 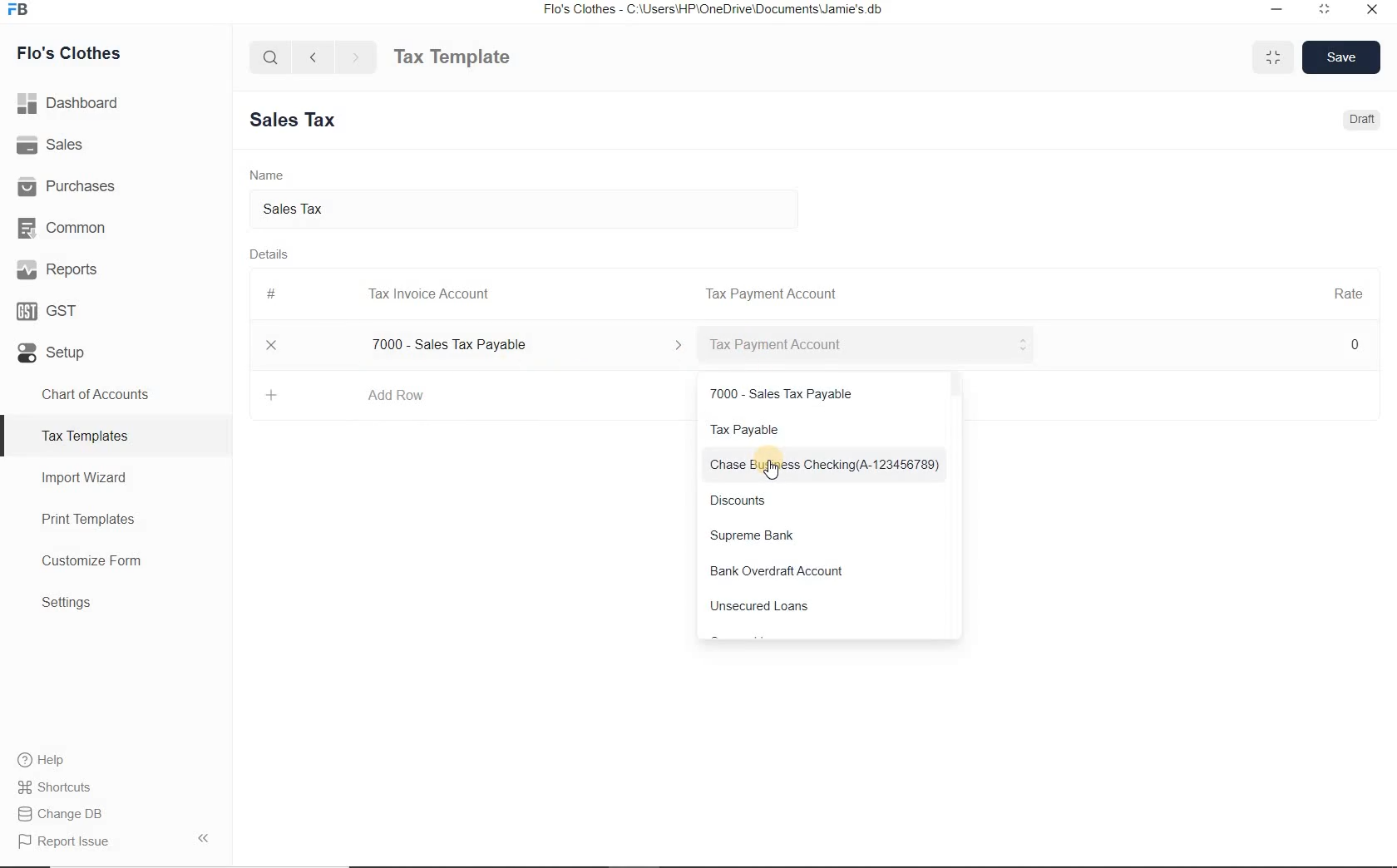 I want to click on Tax Invoice account, so click(x=868, y=346).